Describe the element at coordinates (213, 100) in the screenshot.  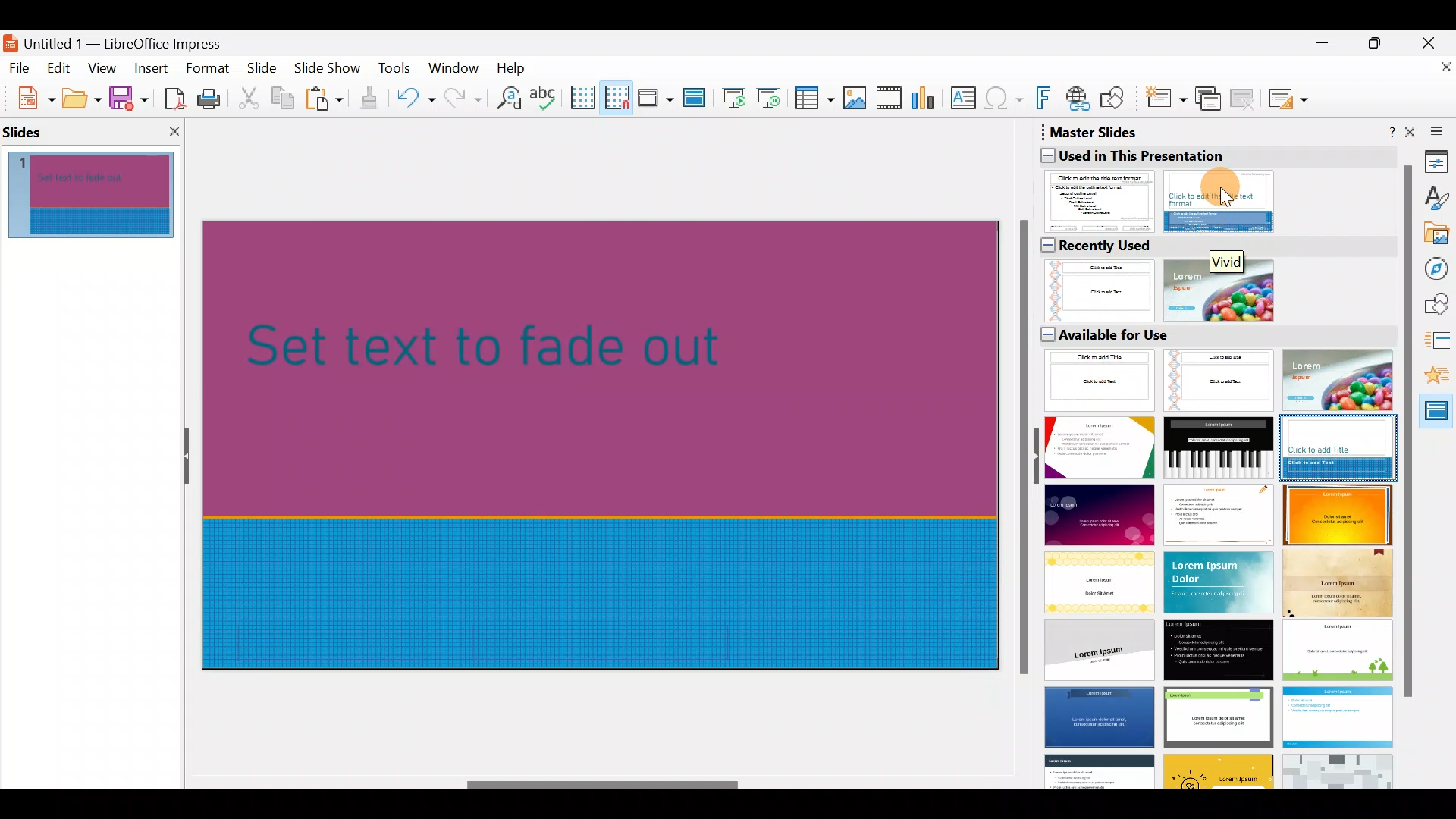
I see `Print` at that location.